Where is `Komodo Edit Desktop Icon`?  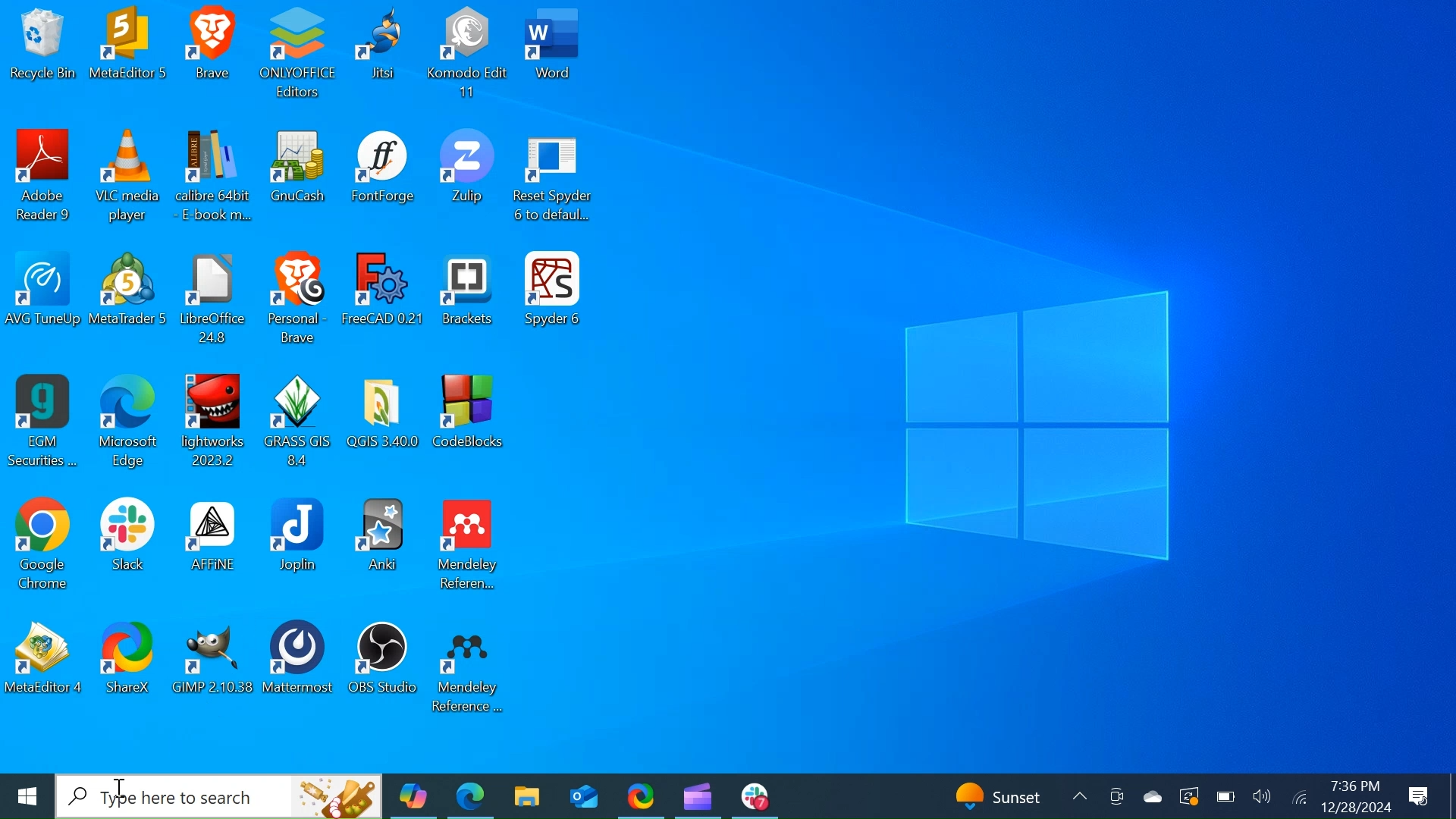
Komodo Edit Desktop Icon is located at coordinates (468, 55).